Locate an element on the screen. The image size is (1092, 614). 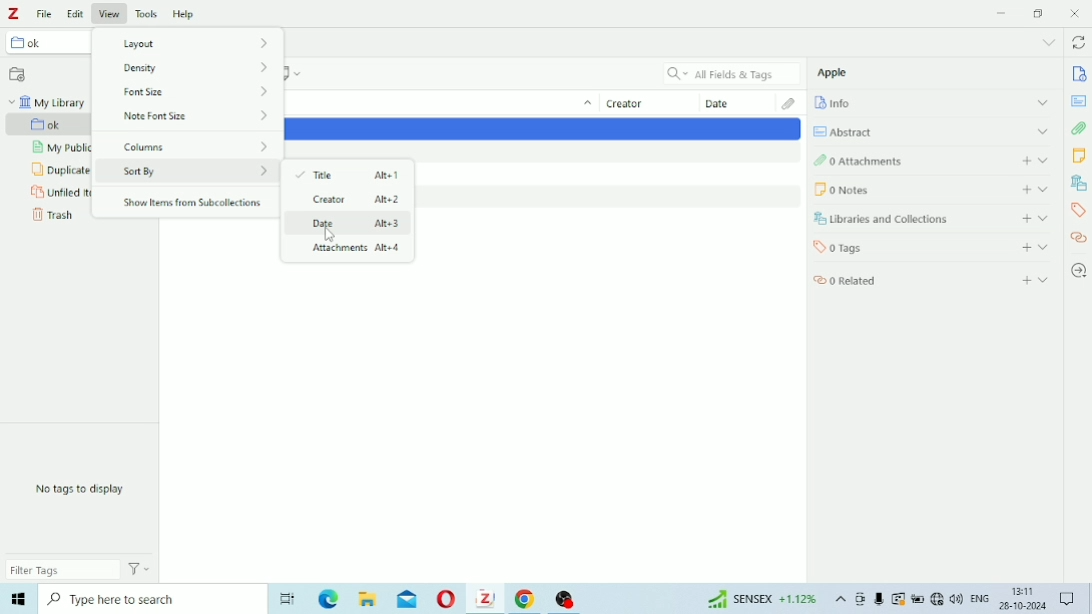
Time/Date is located at coordinates (1020, 600).